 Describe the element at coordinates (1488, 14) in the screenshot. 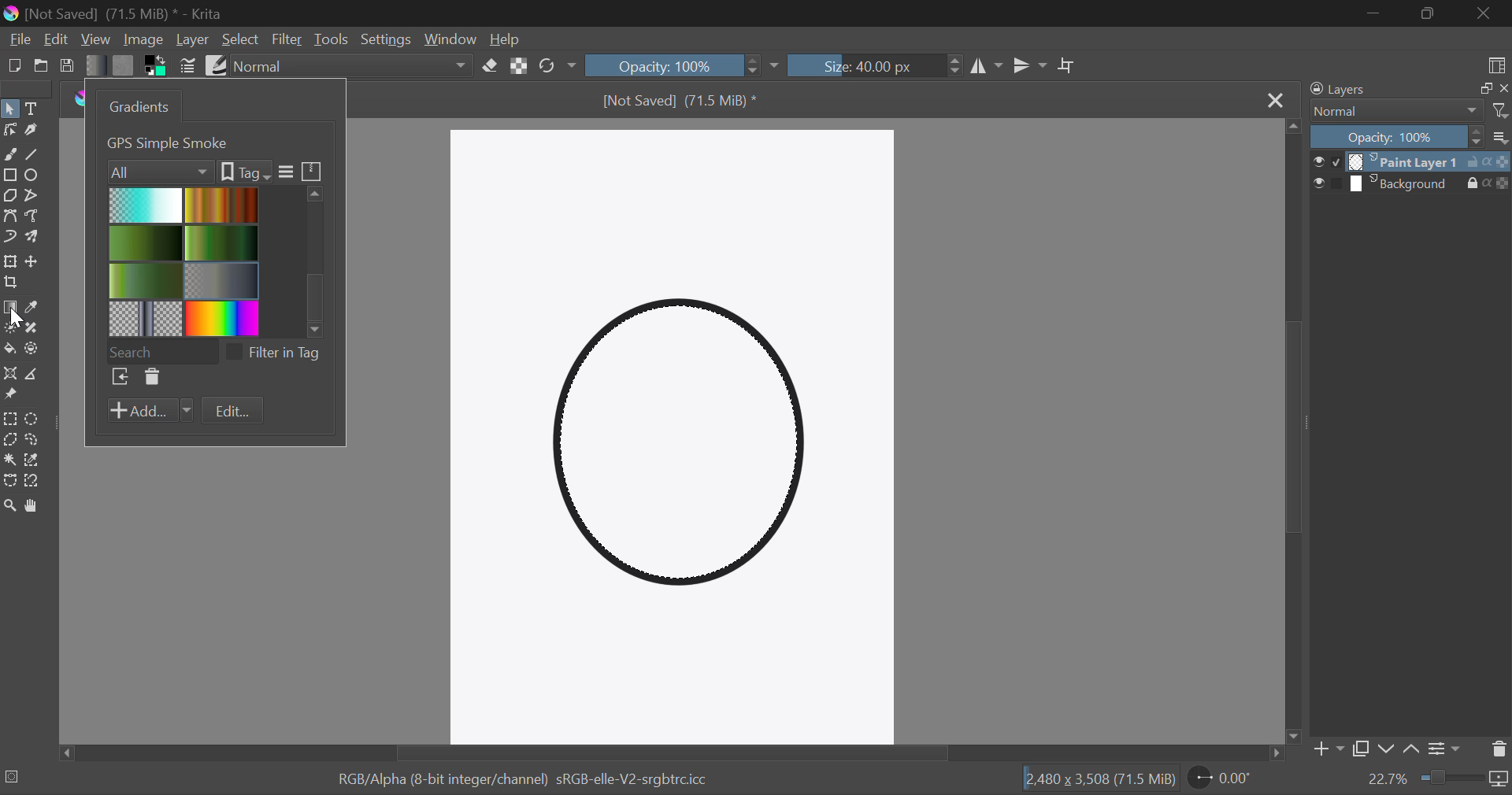

I see `Close` at that location.